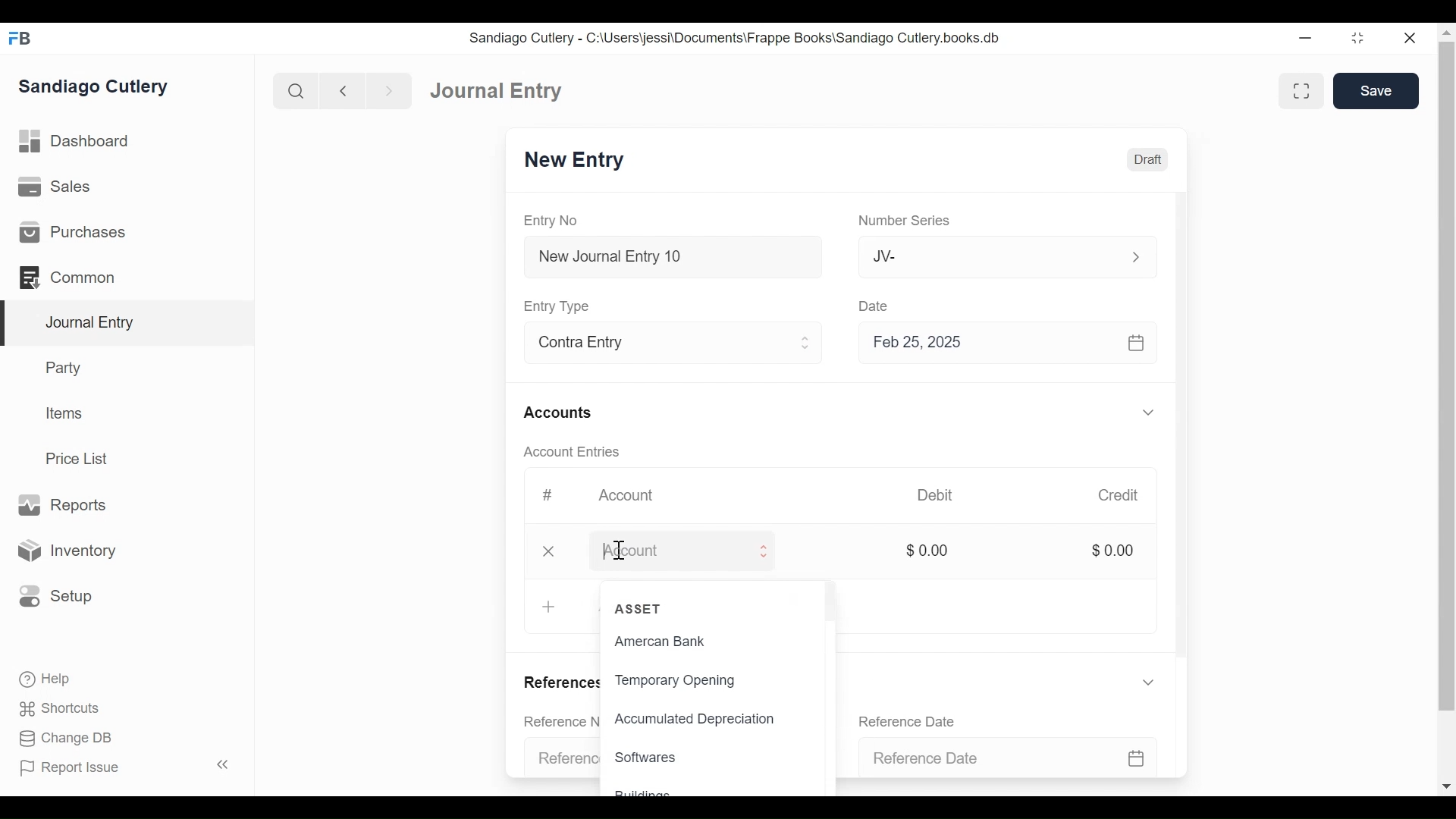  What do you see at coordinates (989, 256) in the screenshot?
I see `JV-` at bounding box center [989, 256].